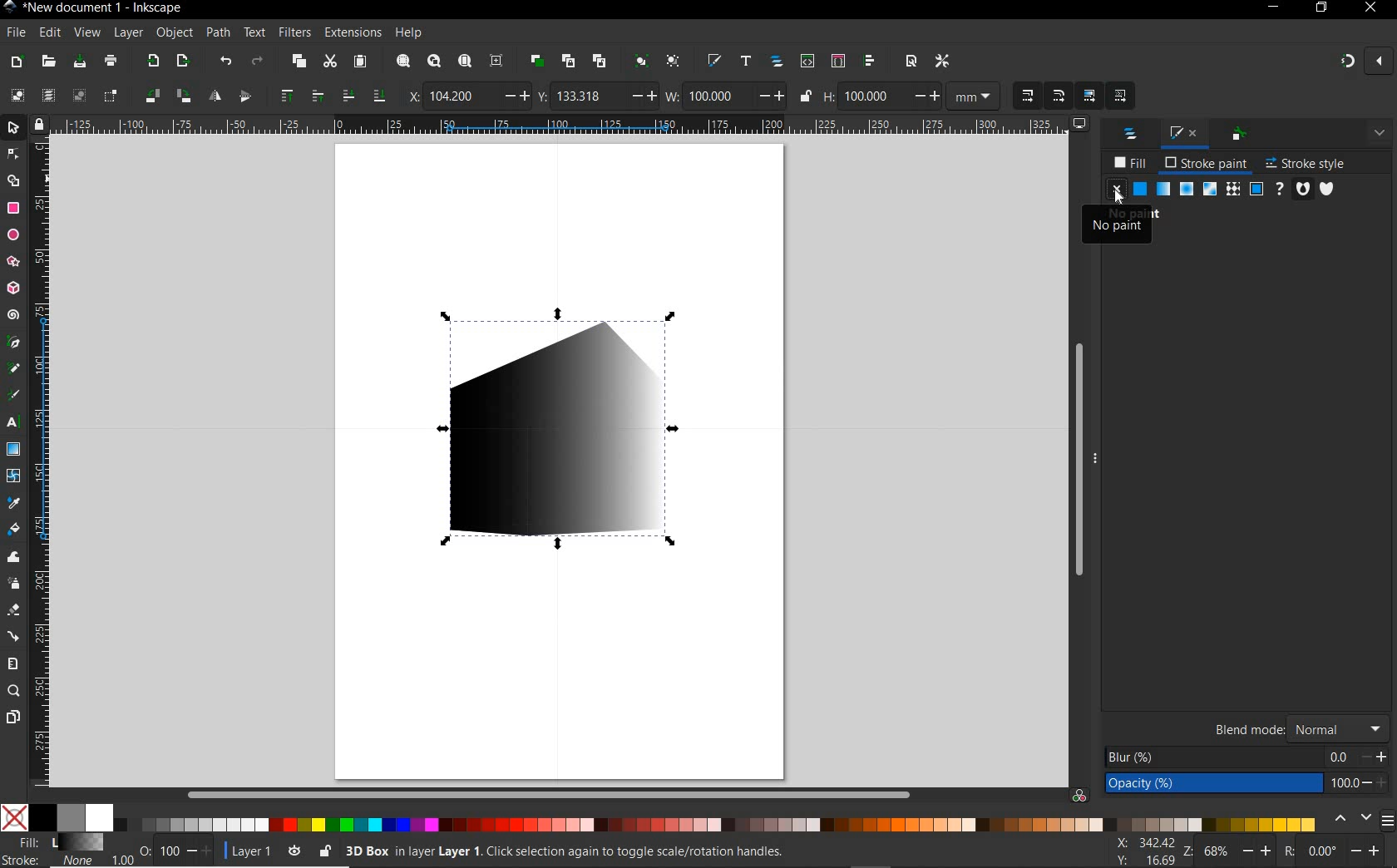 This screenshot has height=868, width=1397. Describe the element at coordinates (1375, 784) in the screenshot. I see `increase/decrease` at that location.